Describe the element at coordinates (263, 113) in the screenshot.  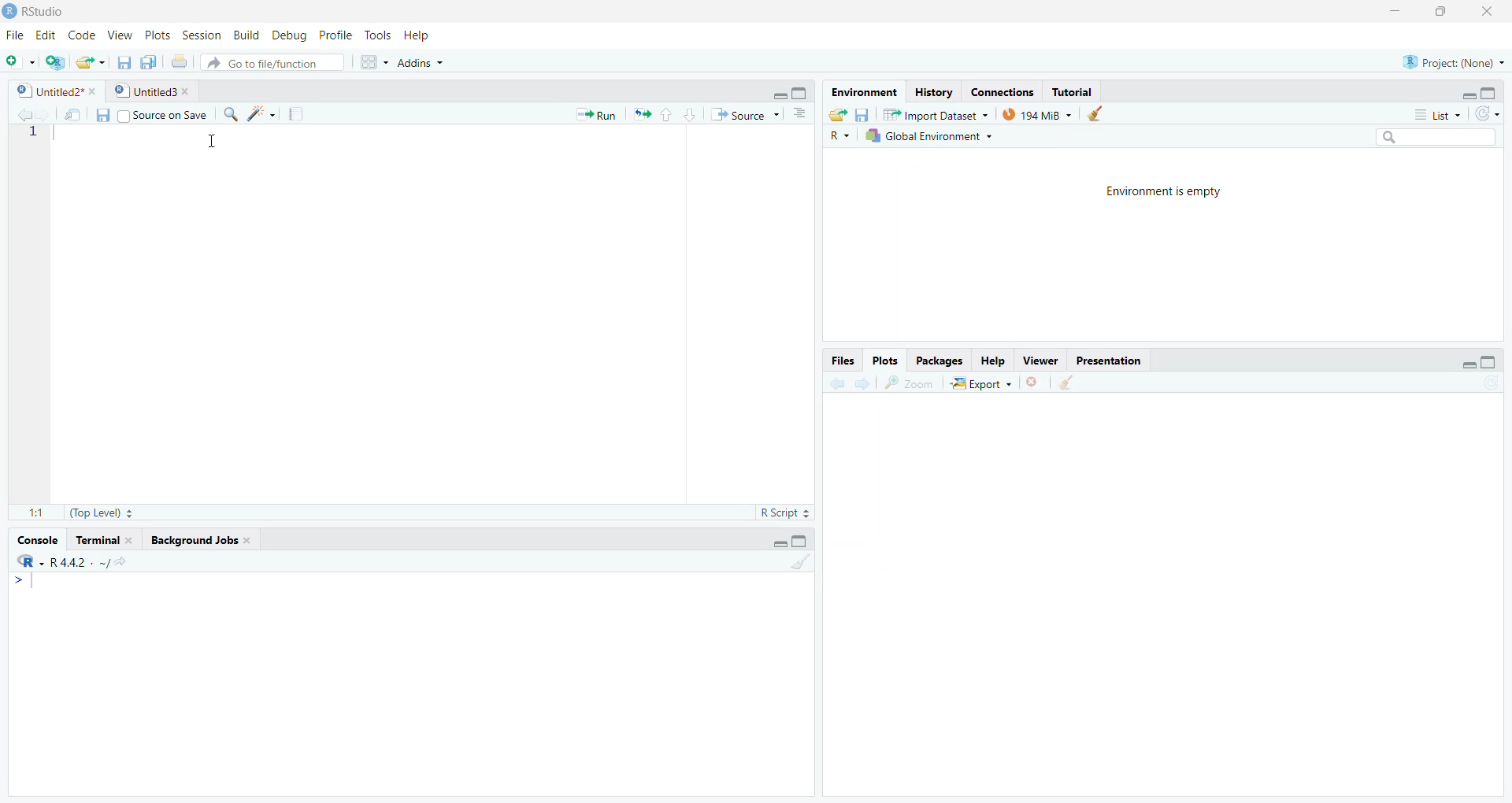
I see `code tools` at that location.